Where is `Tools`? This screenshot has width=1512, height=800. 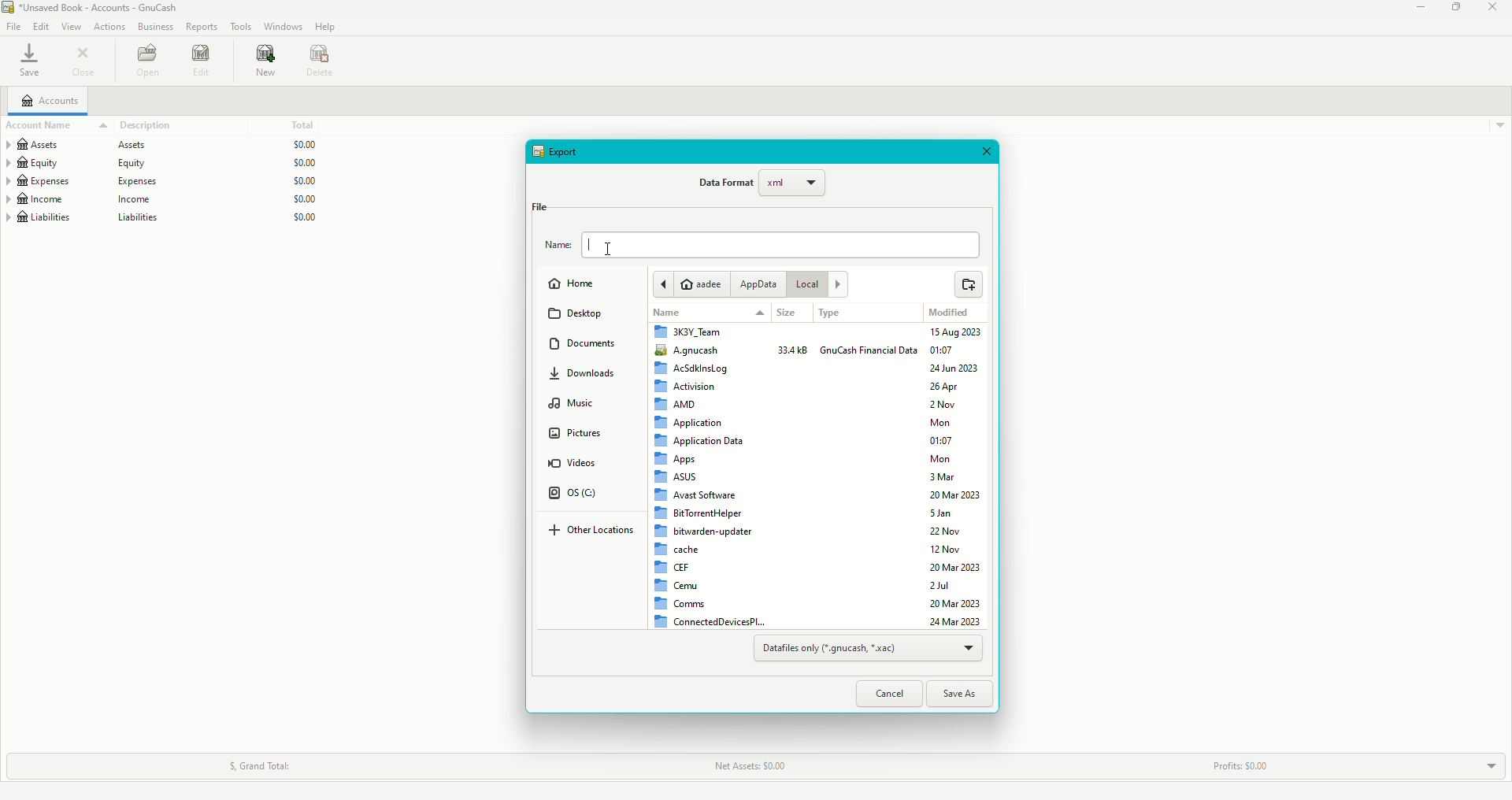 Tools is located at coordinates (239, 27).